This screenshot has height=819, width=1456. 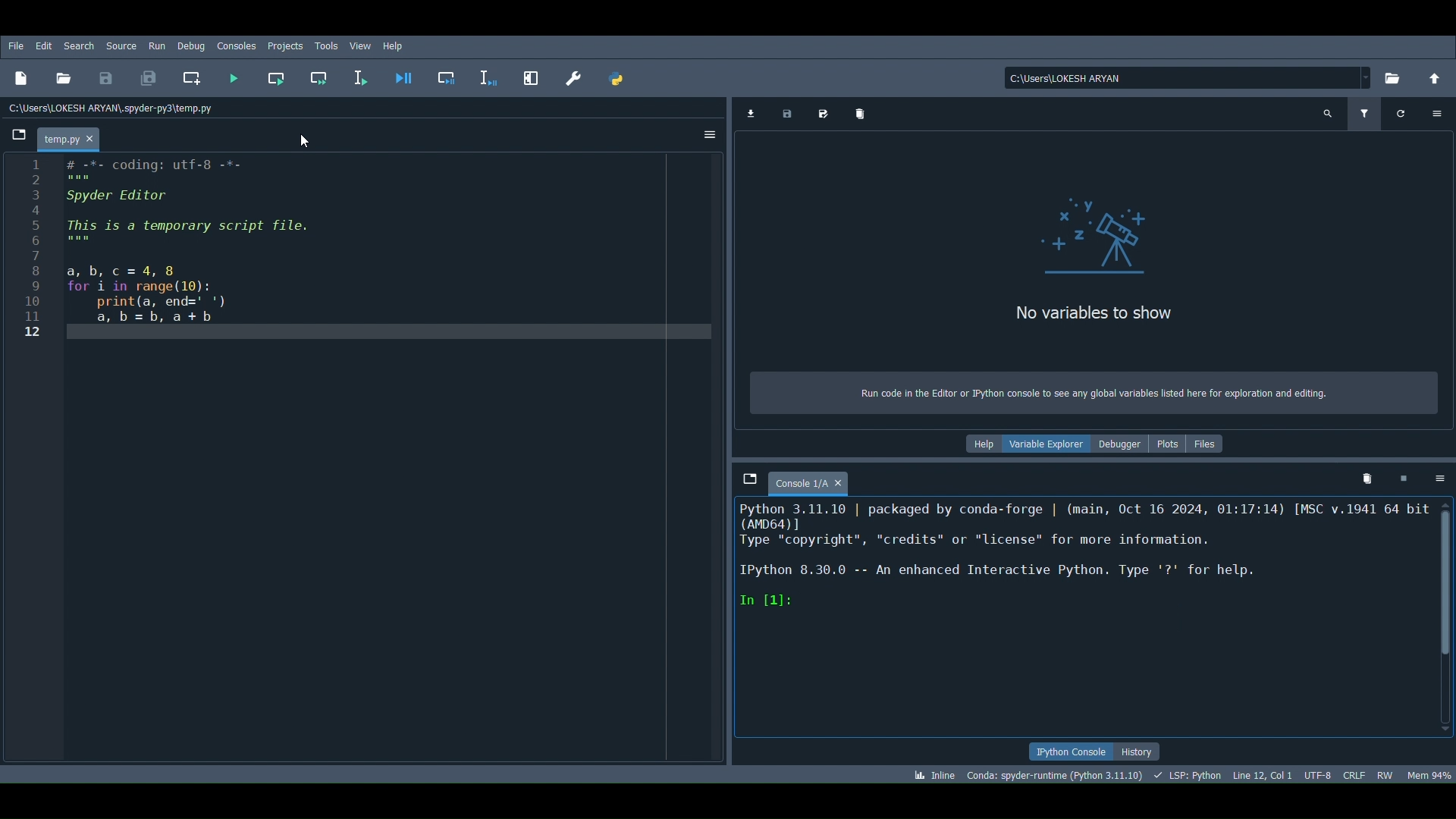 What do you see at coordinates (1081, 618) in the screenshot?
I see `Console` at bounding box center [1081, 618].